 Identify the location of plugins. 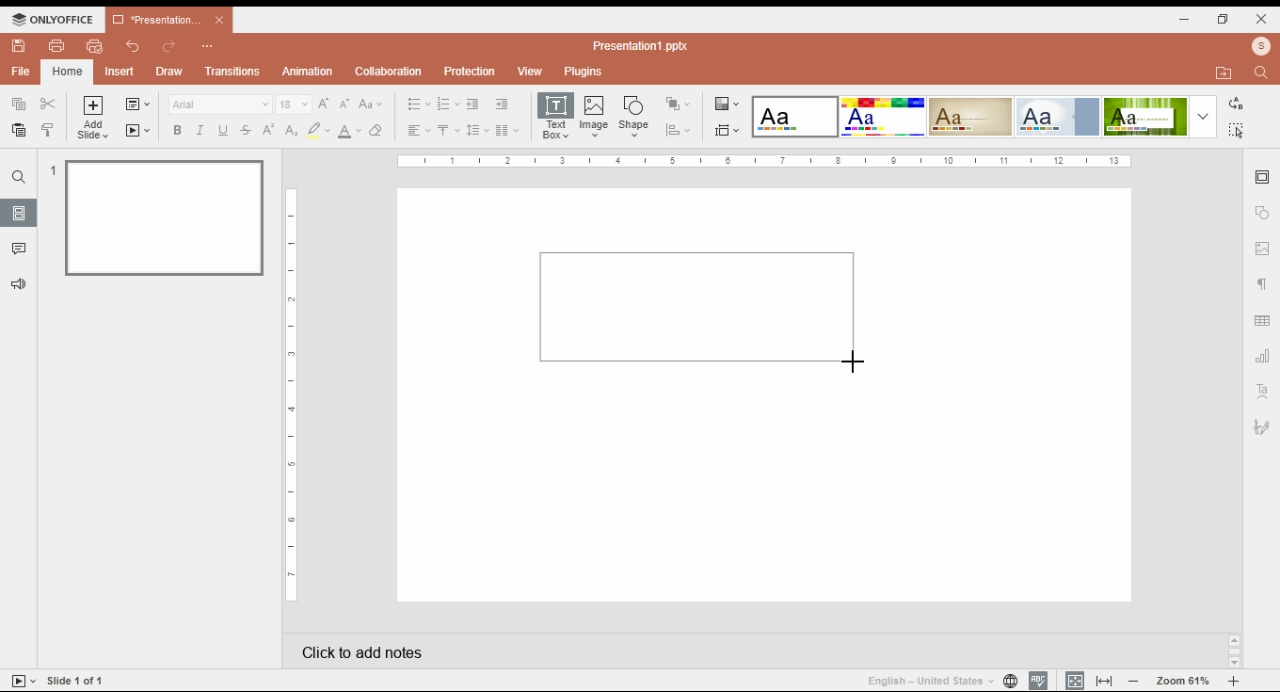
(582, 71).